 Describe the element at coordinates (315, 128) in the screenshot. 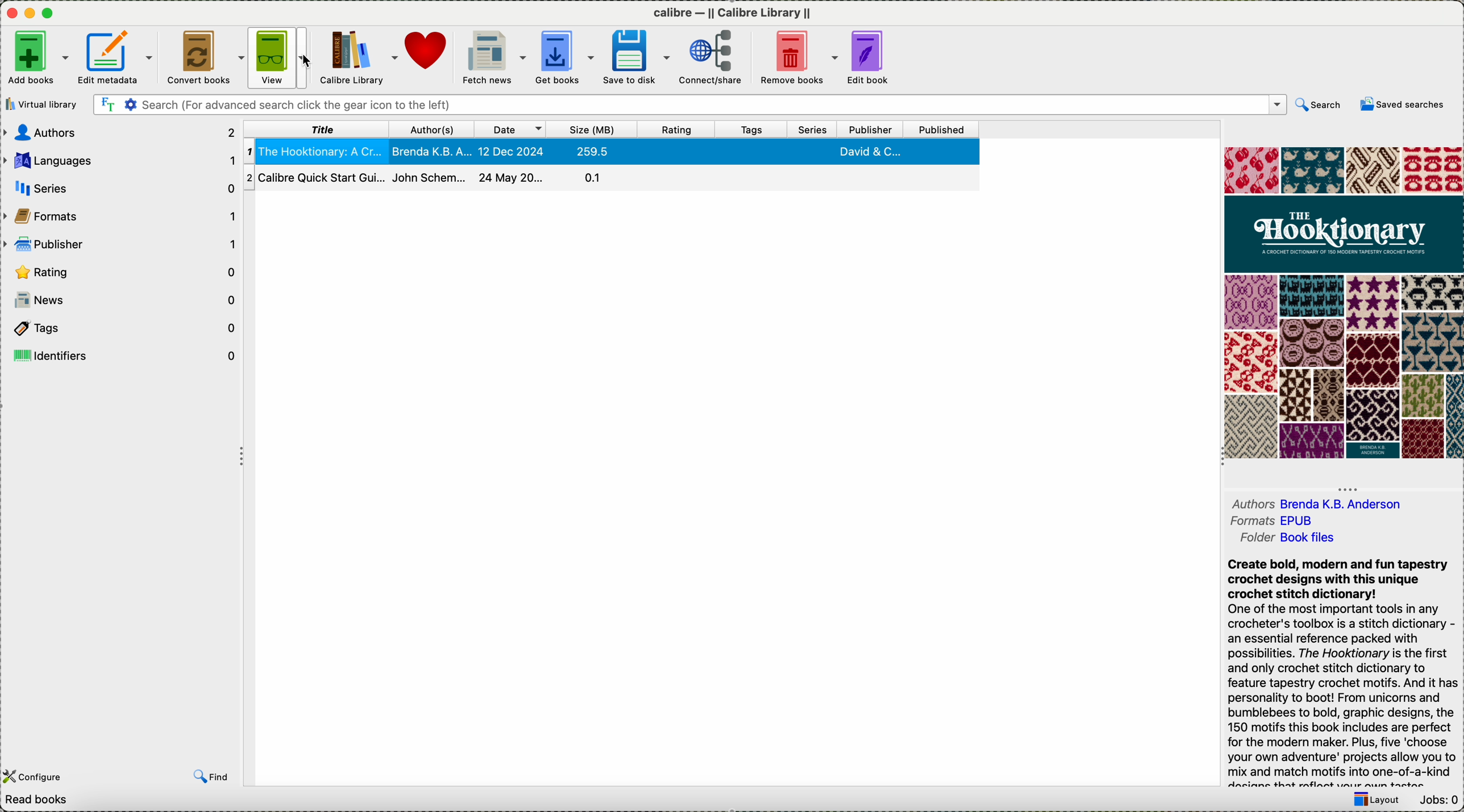

I see `title` at that location.